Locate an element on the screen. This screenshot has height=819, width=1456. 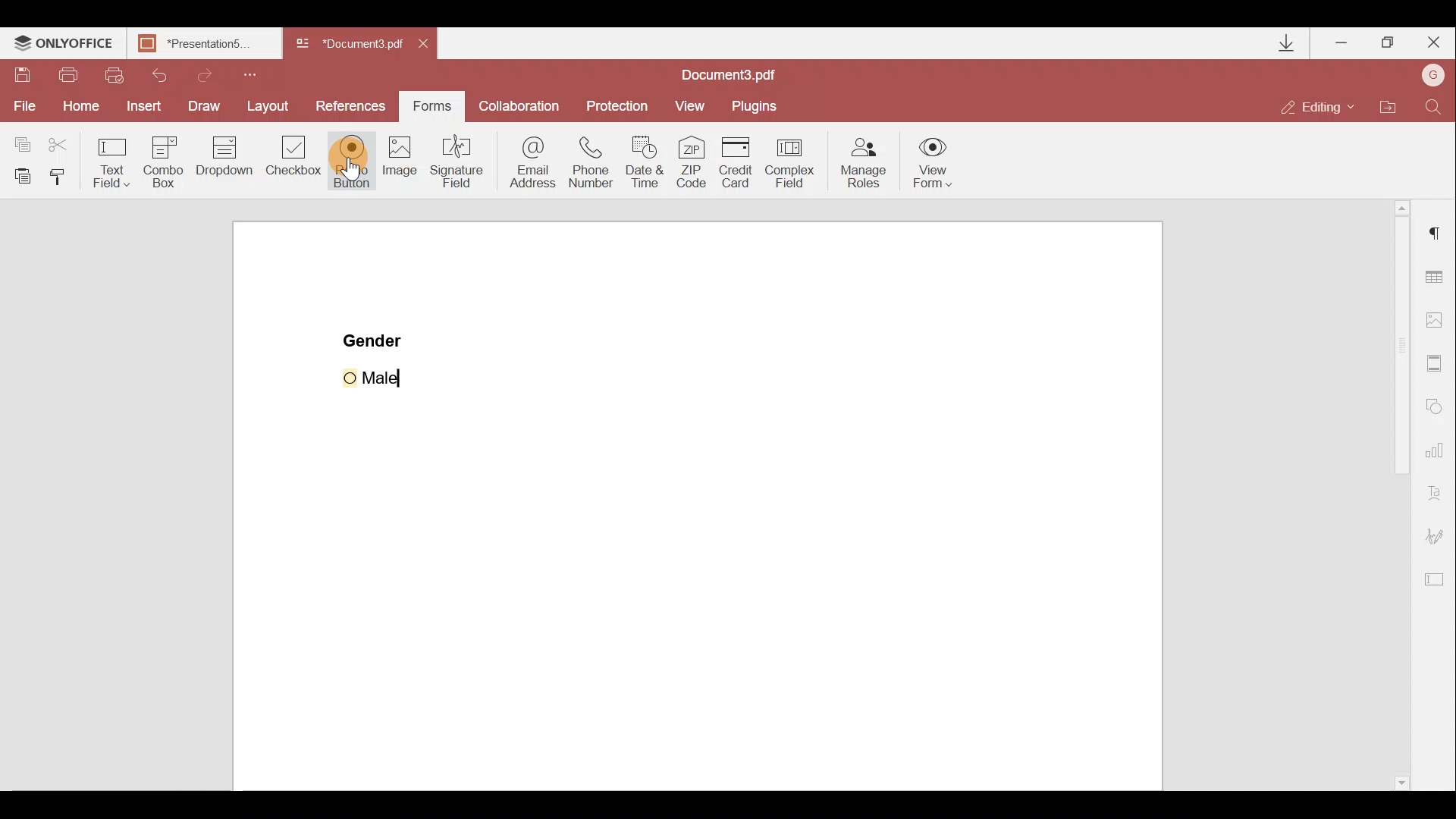
Maximize is located at coordinates (1389, 41).